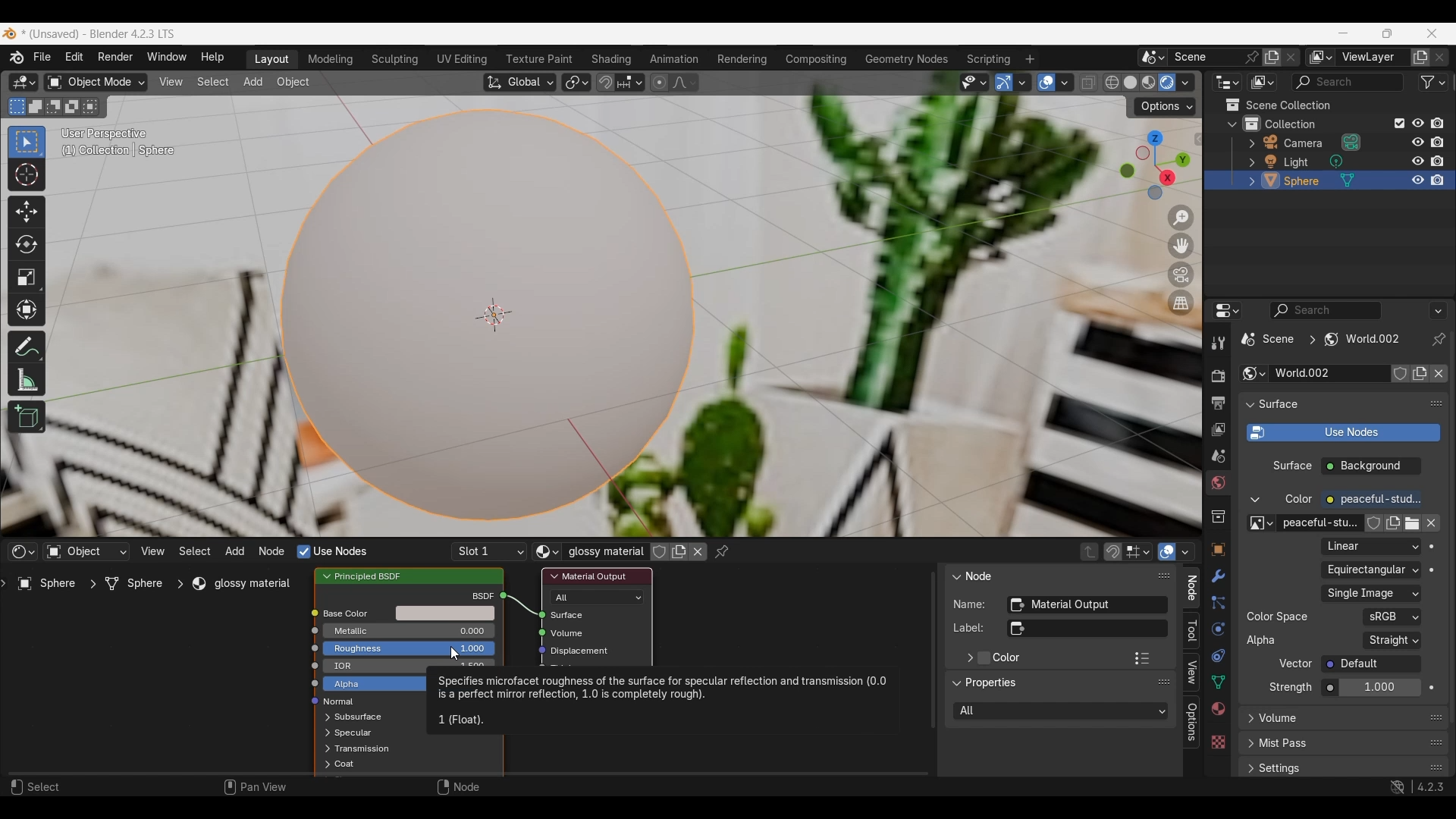  Describe the element at coordinates (313, 612) in the screenshot. I see `icon` at that location.